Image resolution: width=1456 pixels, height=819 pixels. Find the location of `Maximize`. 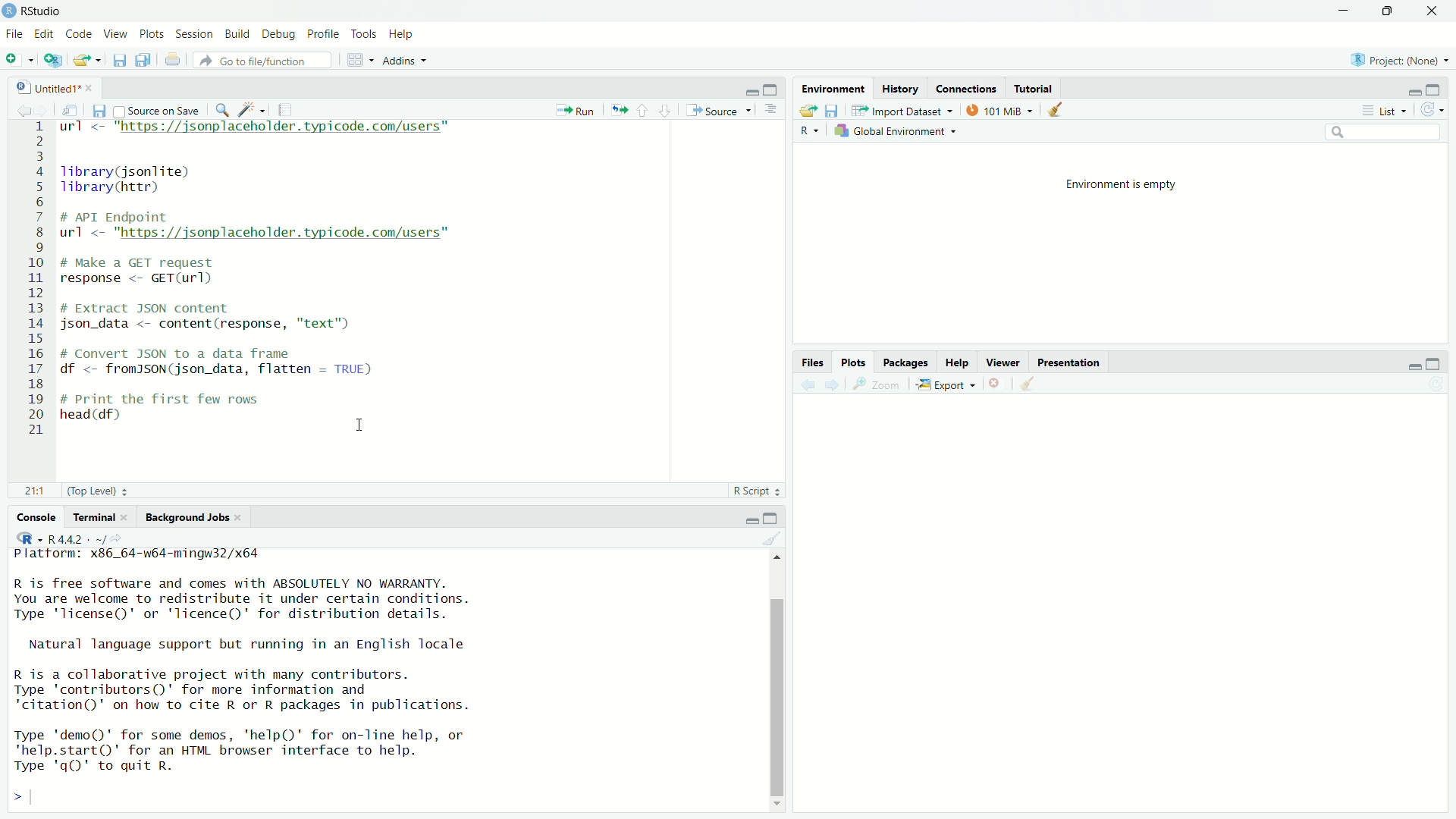

Maximize is located at coordinates (1434, 89).